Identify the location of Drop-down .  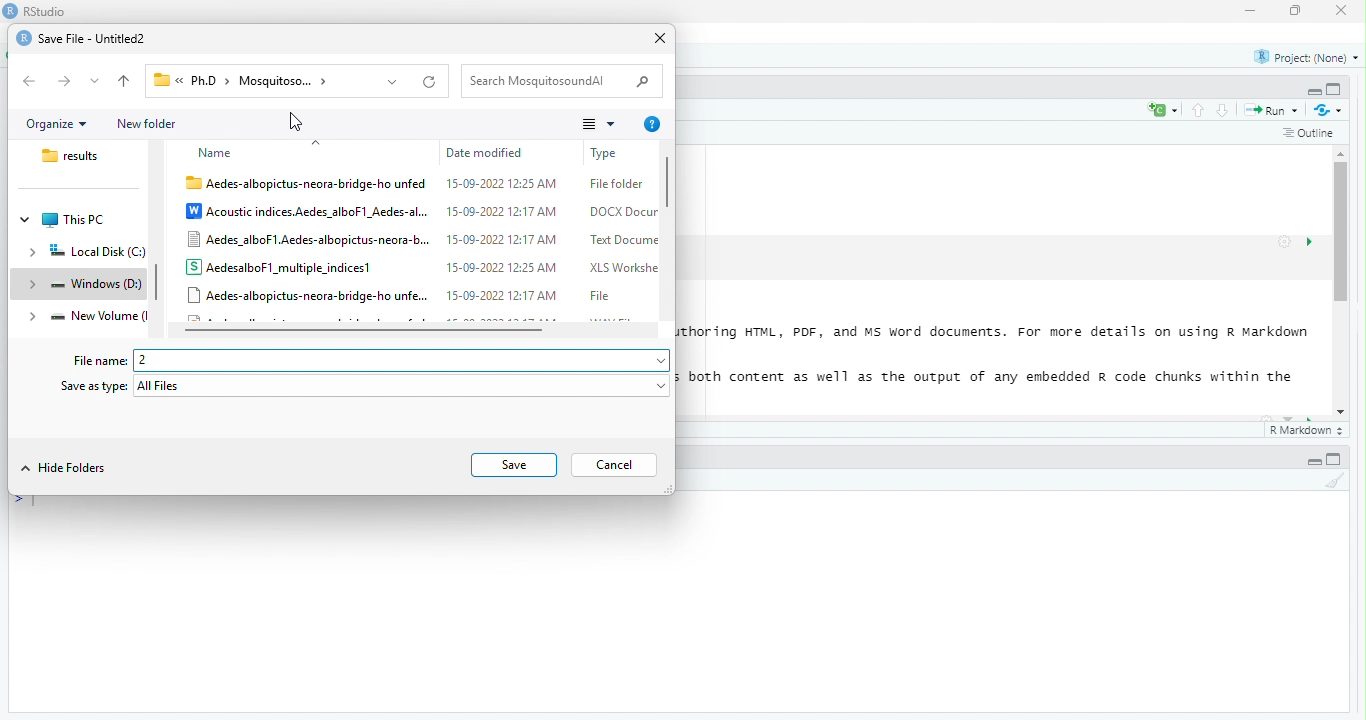
(663, 387).